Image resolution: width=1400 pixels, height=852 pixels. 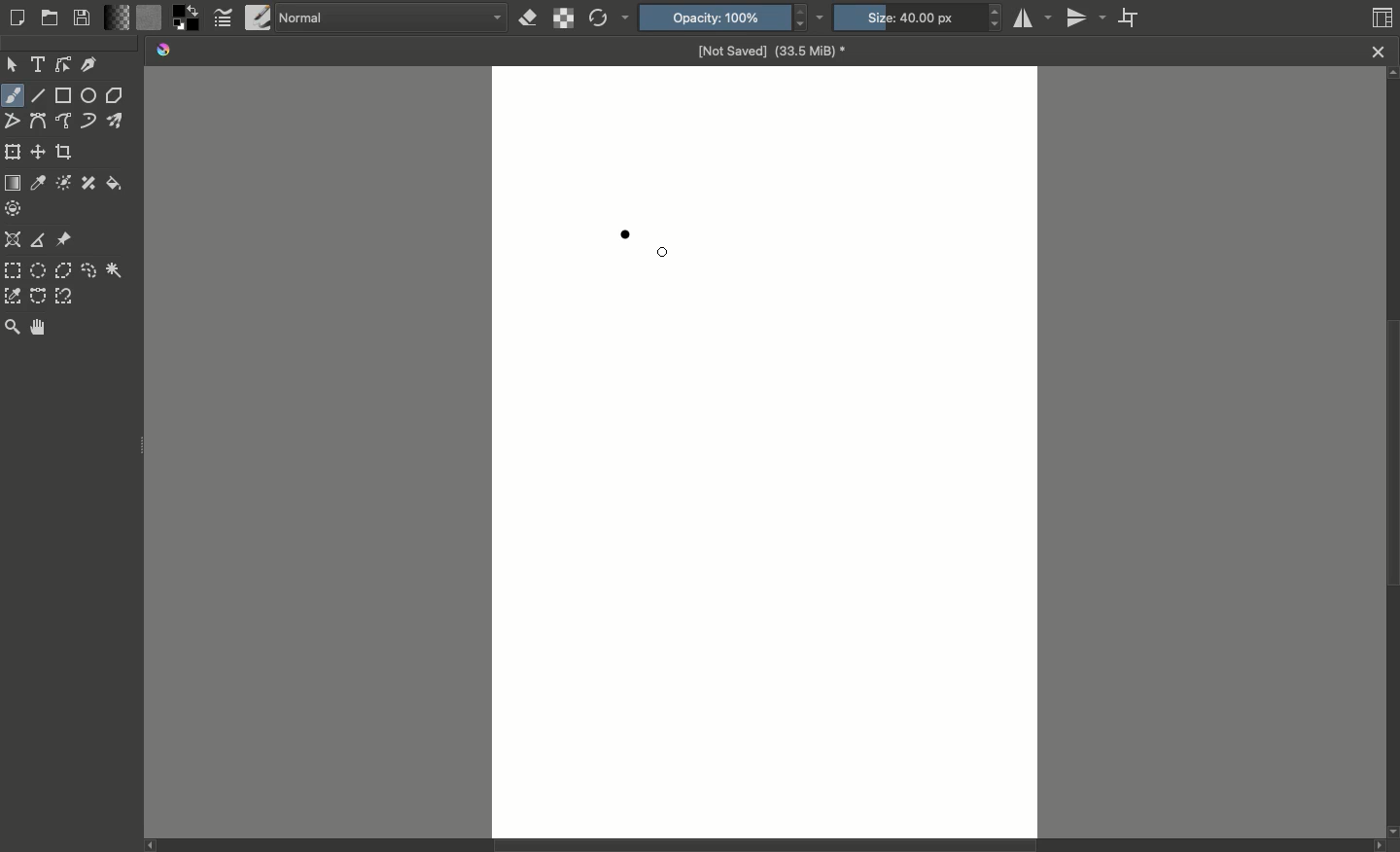 What do you see at coordinates (562, 18) in the screenshot?
I see `Preserve alpha` at bounding box center [562, 18].